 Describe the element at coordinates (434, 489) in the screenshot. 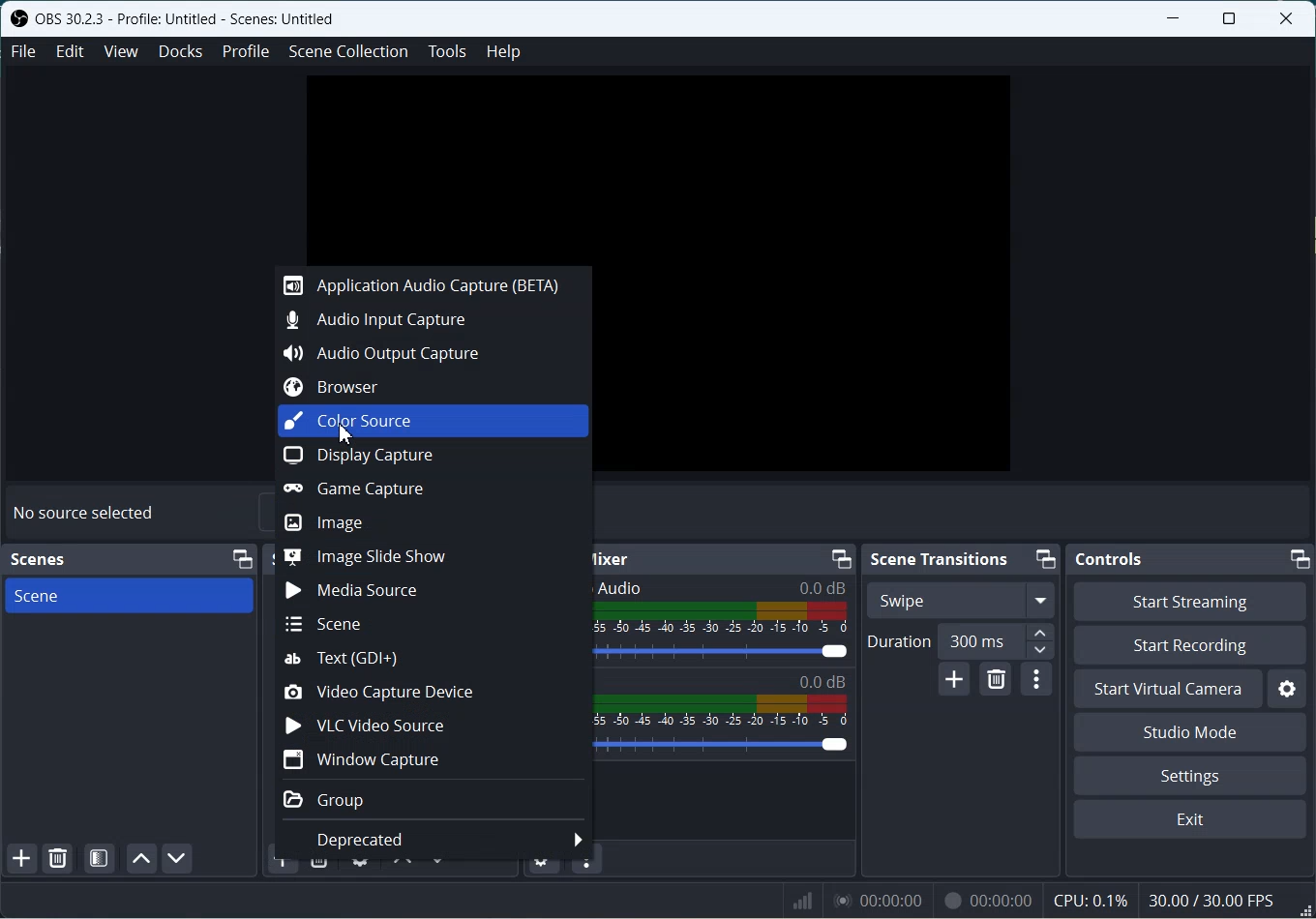

I see `Game Capture` at that location.